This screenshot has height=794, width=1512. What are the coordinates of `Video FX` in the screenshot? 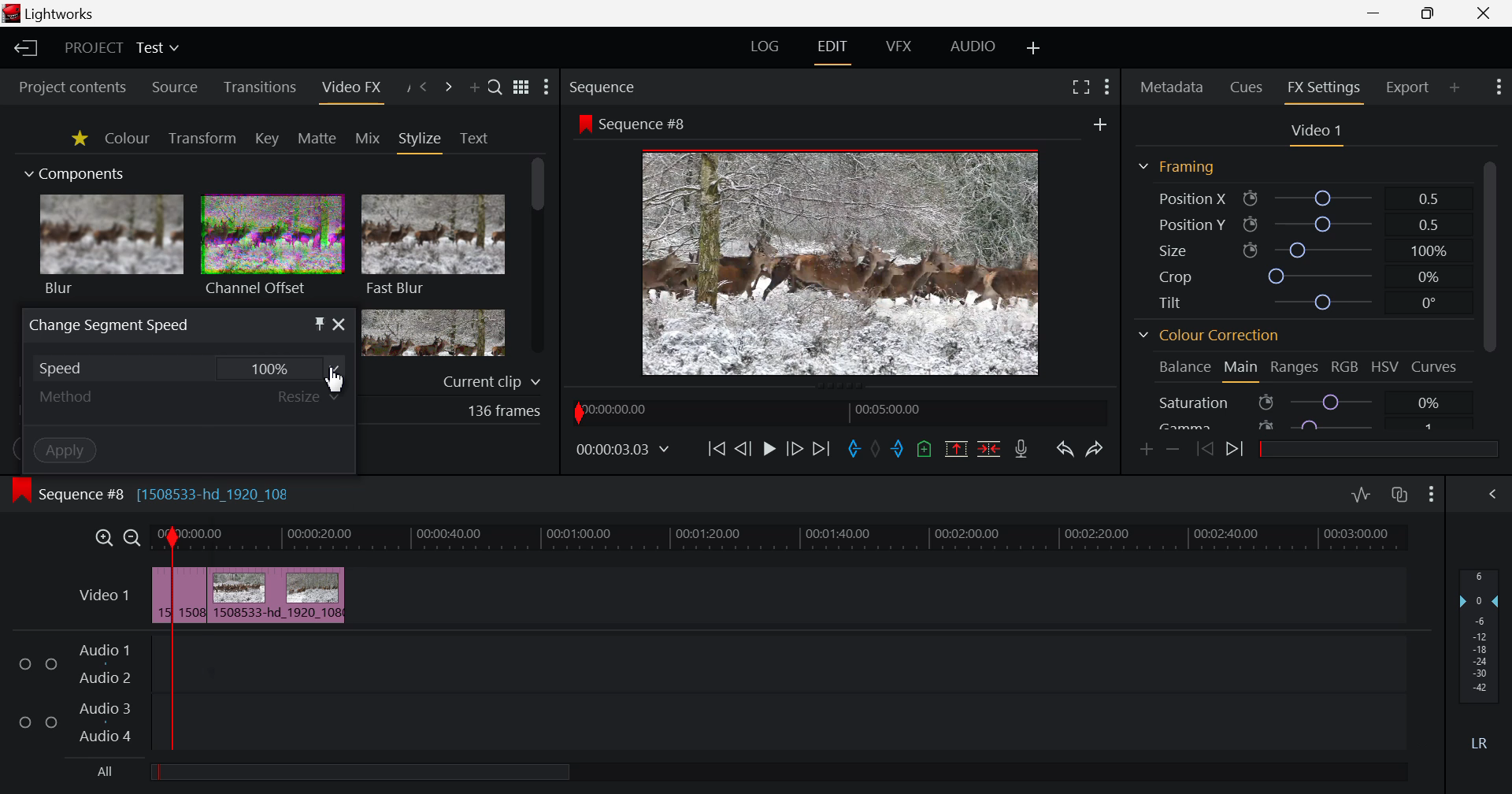 It's located at (350, 88).